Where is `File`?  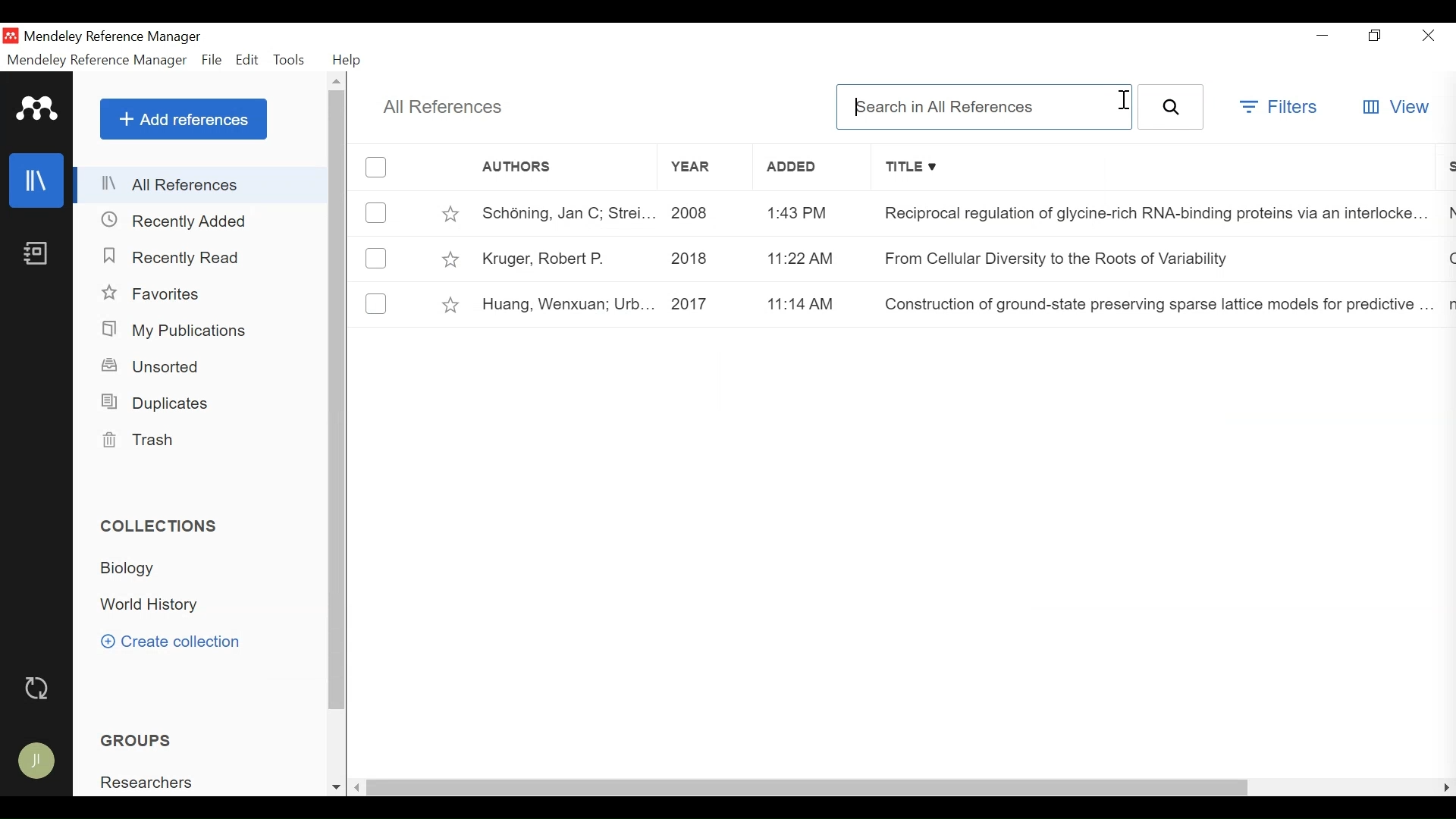 File is located at coordinates (212, 61).